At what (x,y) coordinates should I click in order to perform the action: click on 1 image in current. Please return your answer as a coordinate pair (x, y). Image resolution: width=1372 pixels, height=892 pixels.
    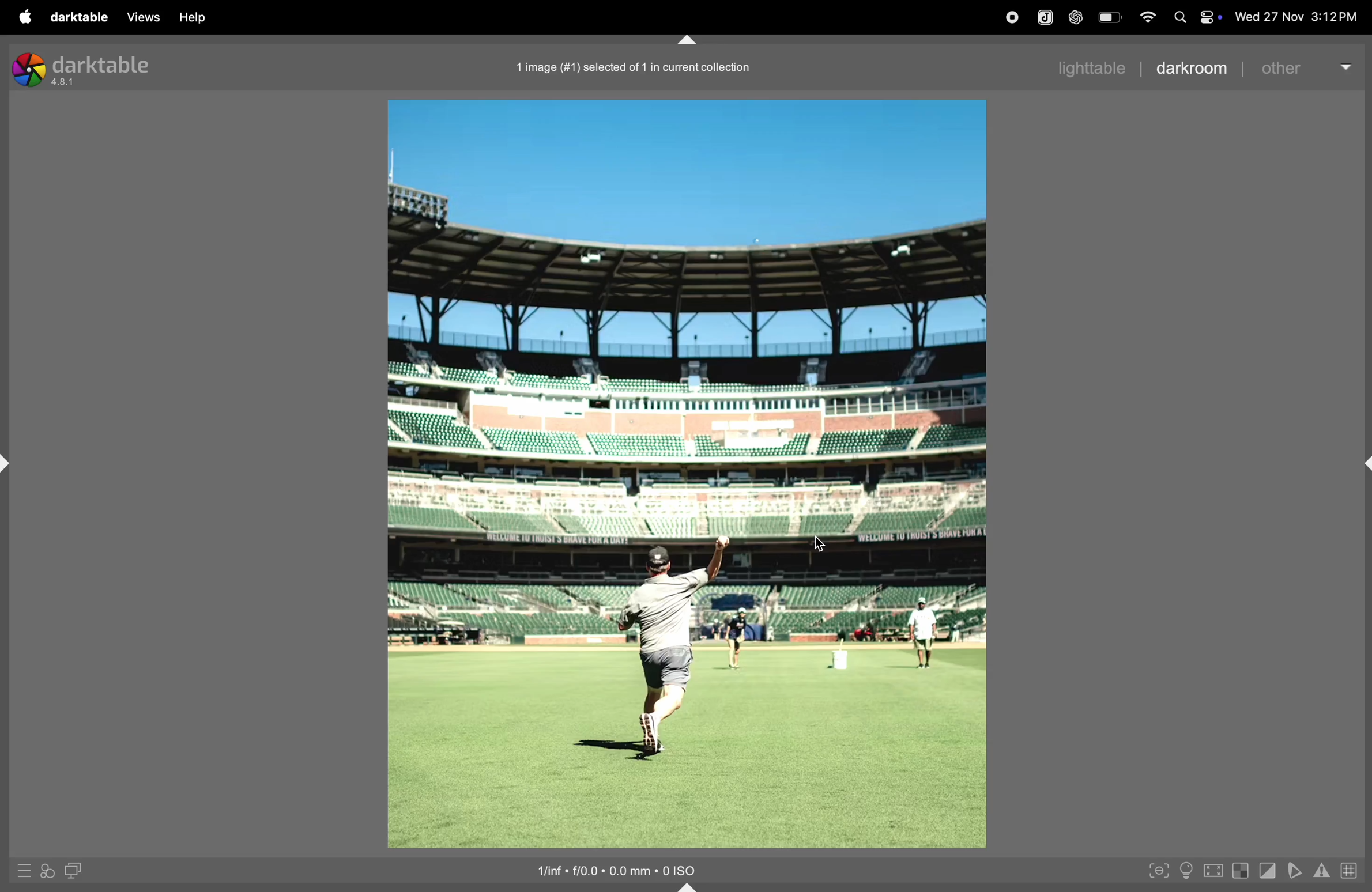
    Looking at the image, I should click on (636, 68).